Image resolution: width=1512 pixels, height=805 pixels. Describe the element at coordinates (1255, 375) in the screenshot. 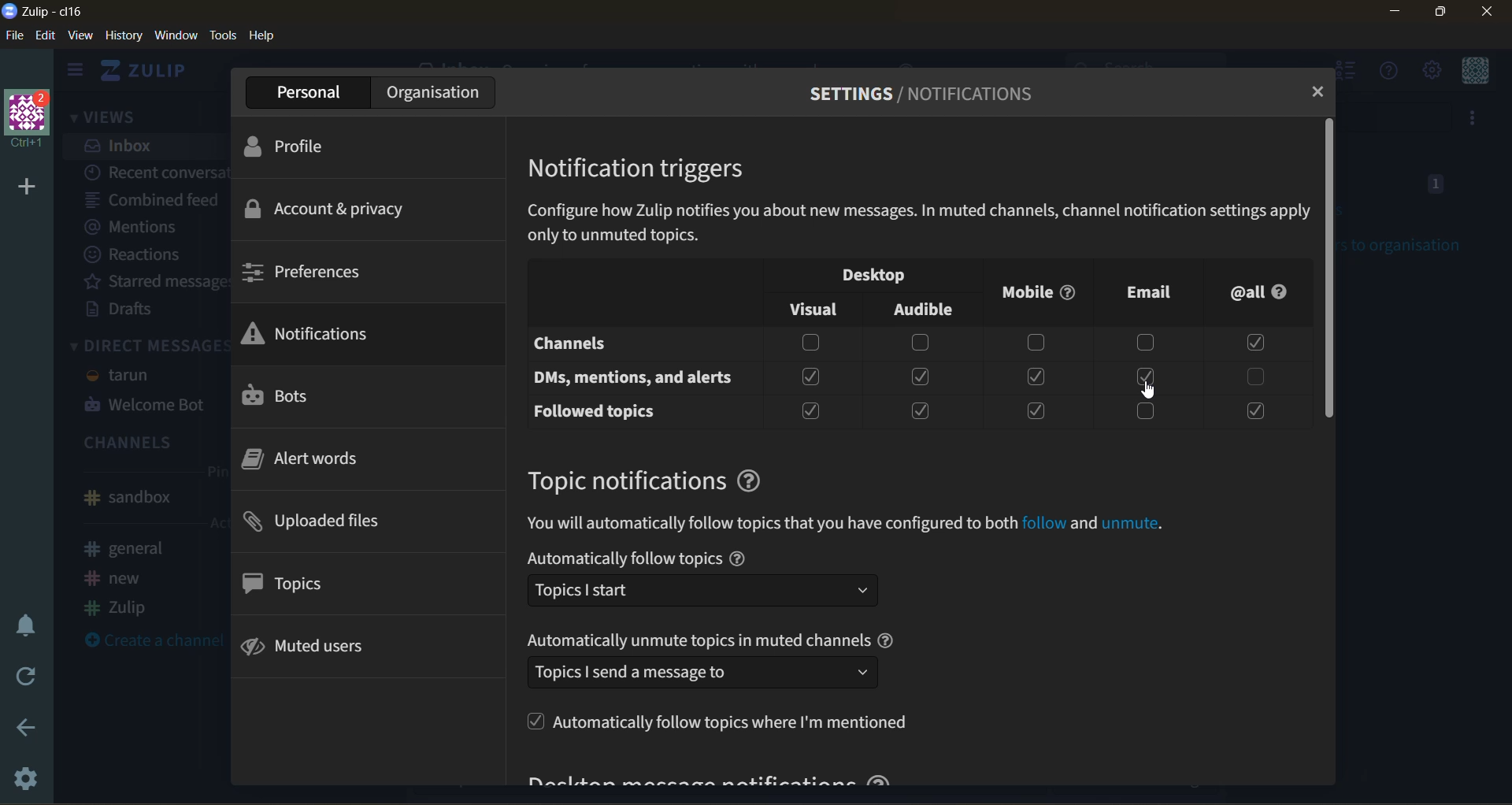

I see `checkbox` at that location.